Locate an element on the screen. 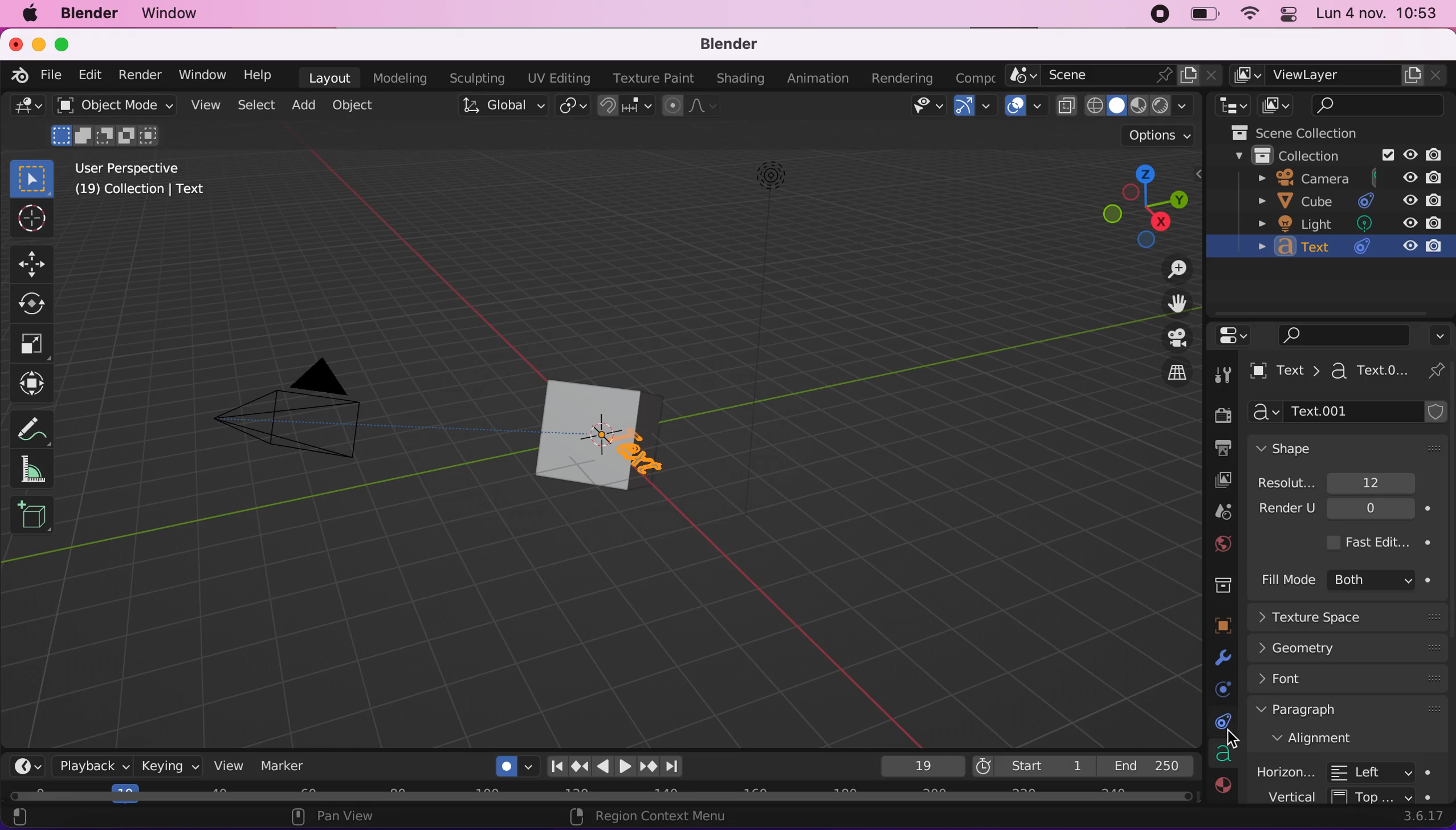  light is located at coordinates (1352, 223).